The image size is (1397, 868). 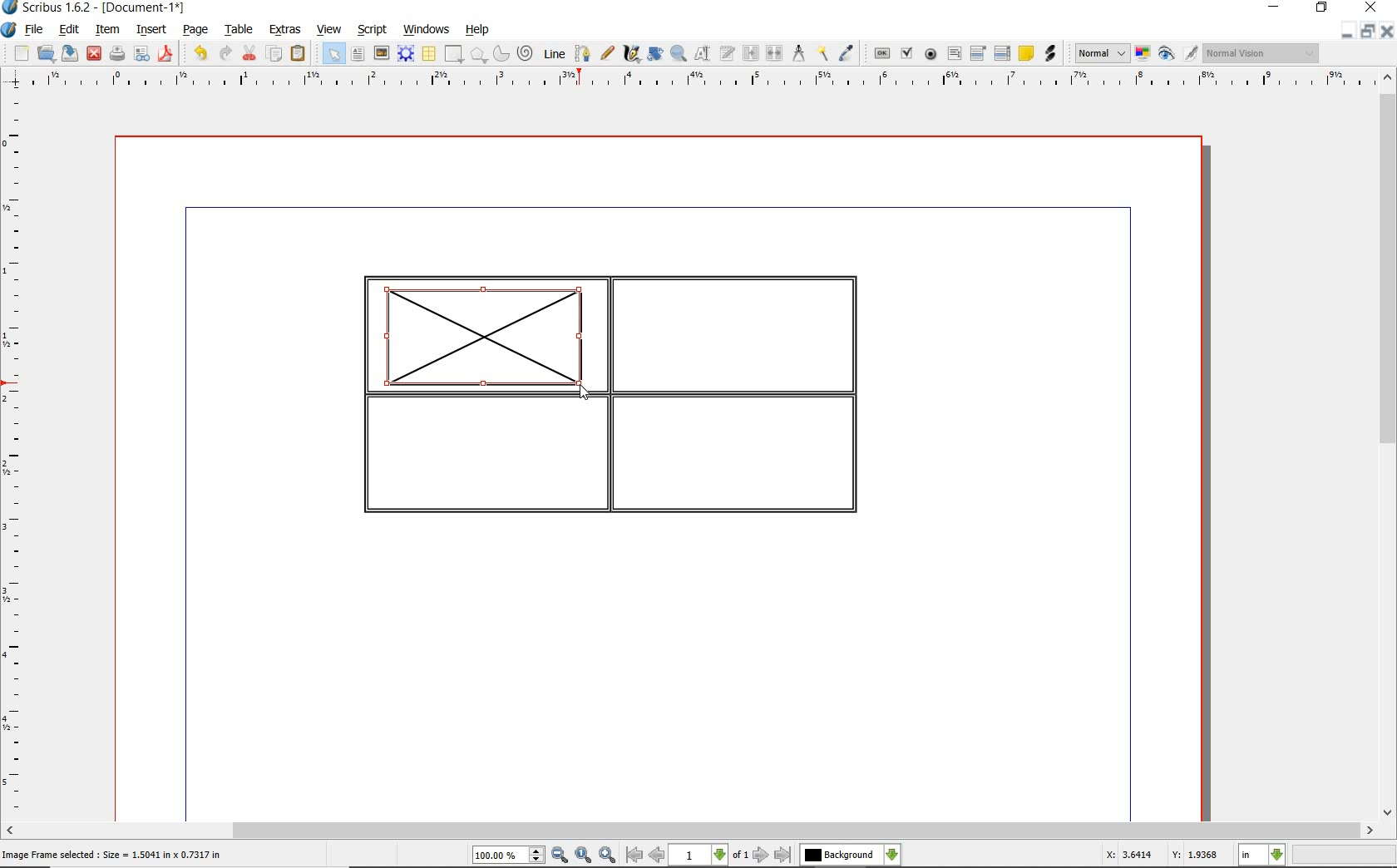 I want to click on calligraphic line, so click(x=632, y=54).